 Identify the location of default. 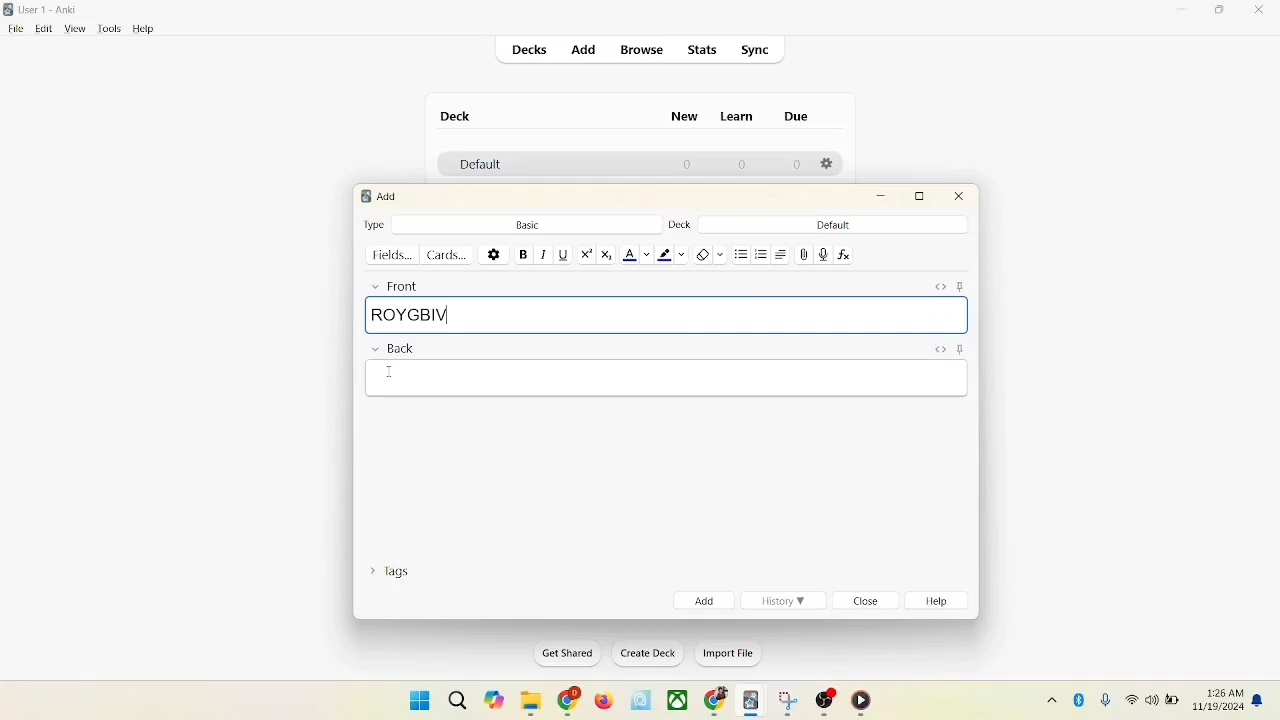
(833, 225).